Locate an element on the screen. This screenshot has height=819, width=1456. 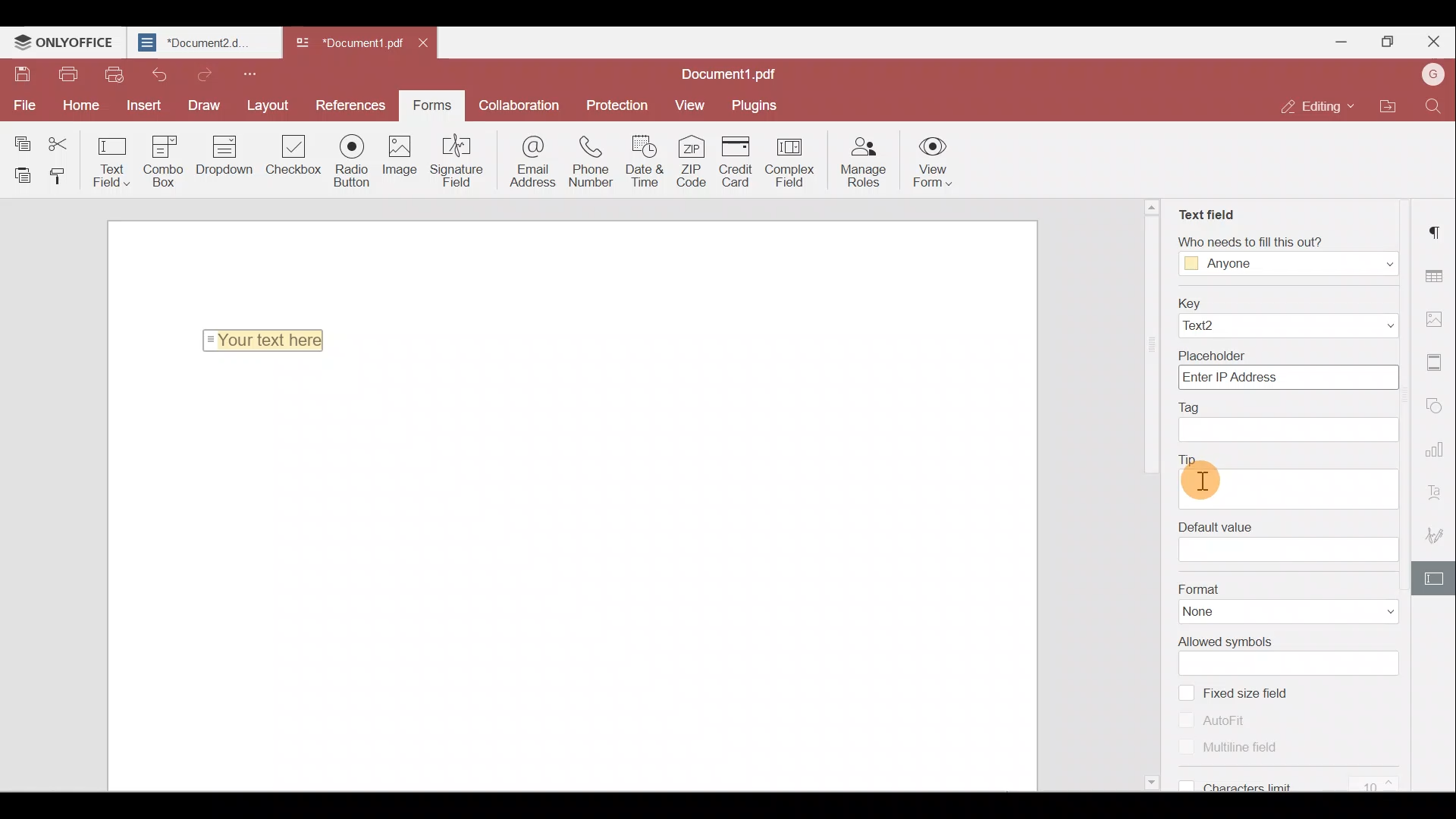
Form is located at coordinates (431, 103).